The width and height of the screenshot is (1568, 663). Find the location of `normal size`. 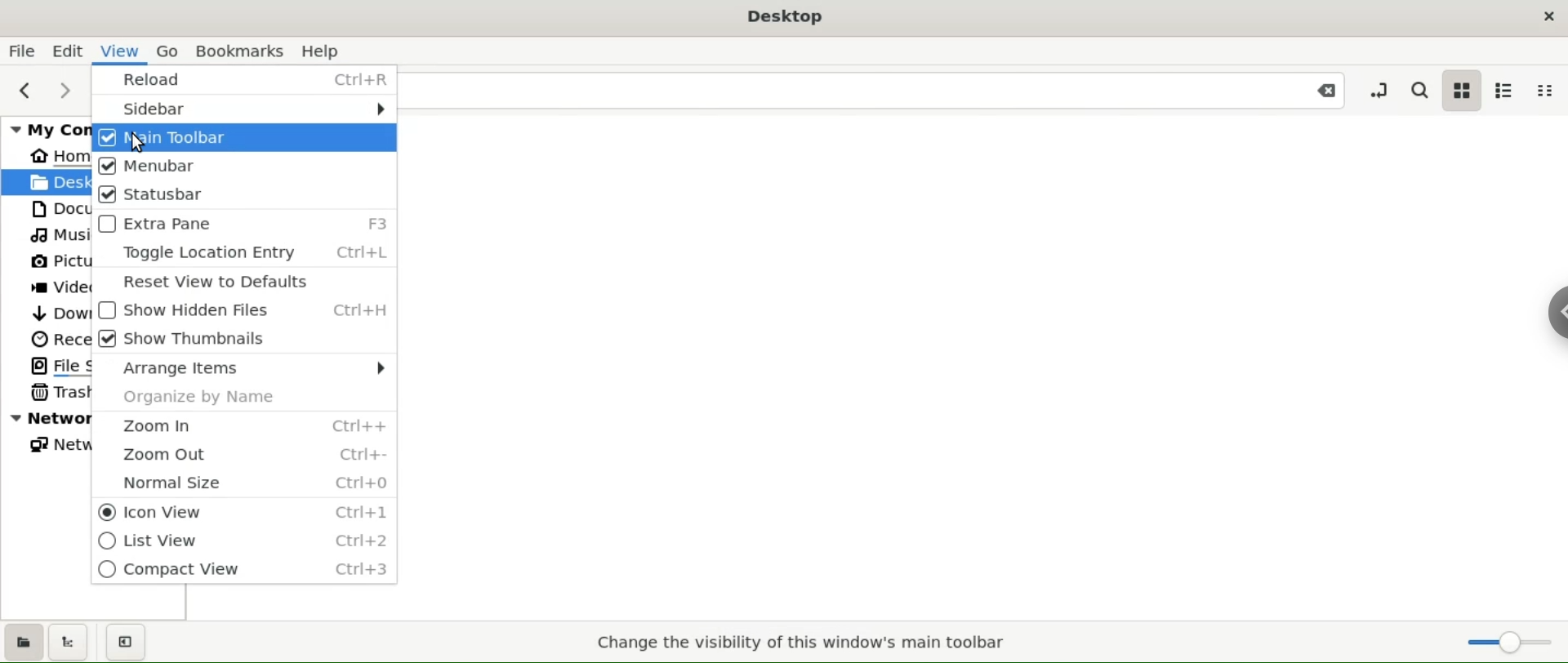

normal size is located at coordinates (241, 483).